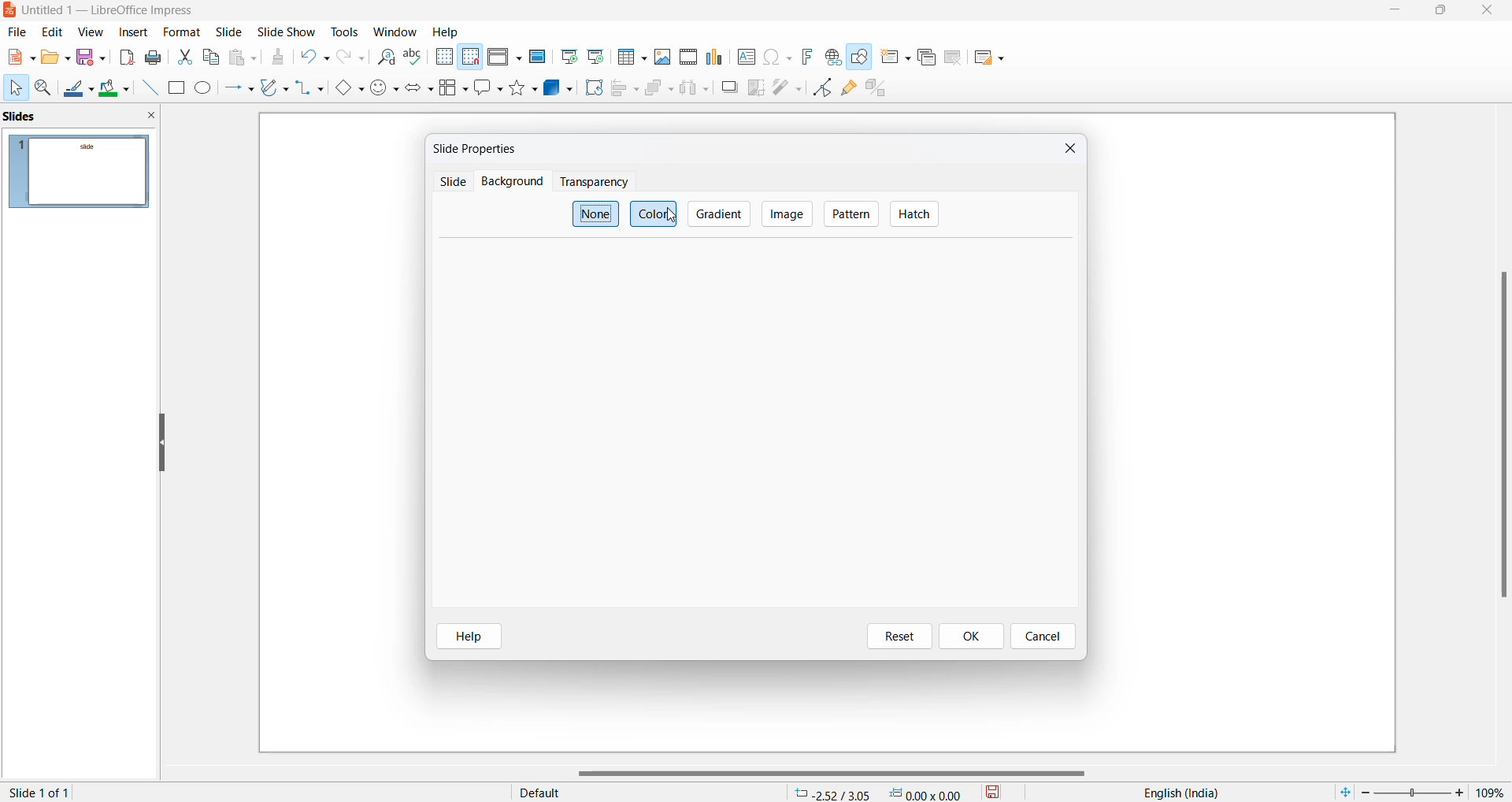 This screenshot has width=1512, height=802. Describe the element at coordinates (246, 58) in the screenshot. I see `paste options` at that location.